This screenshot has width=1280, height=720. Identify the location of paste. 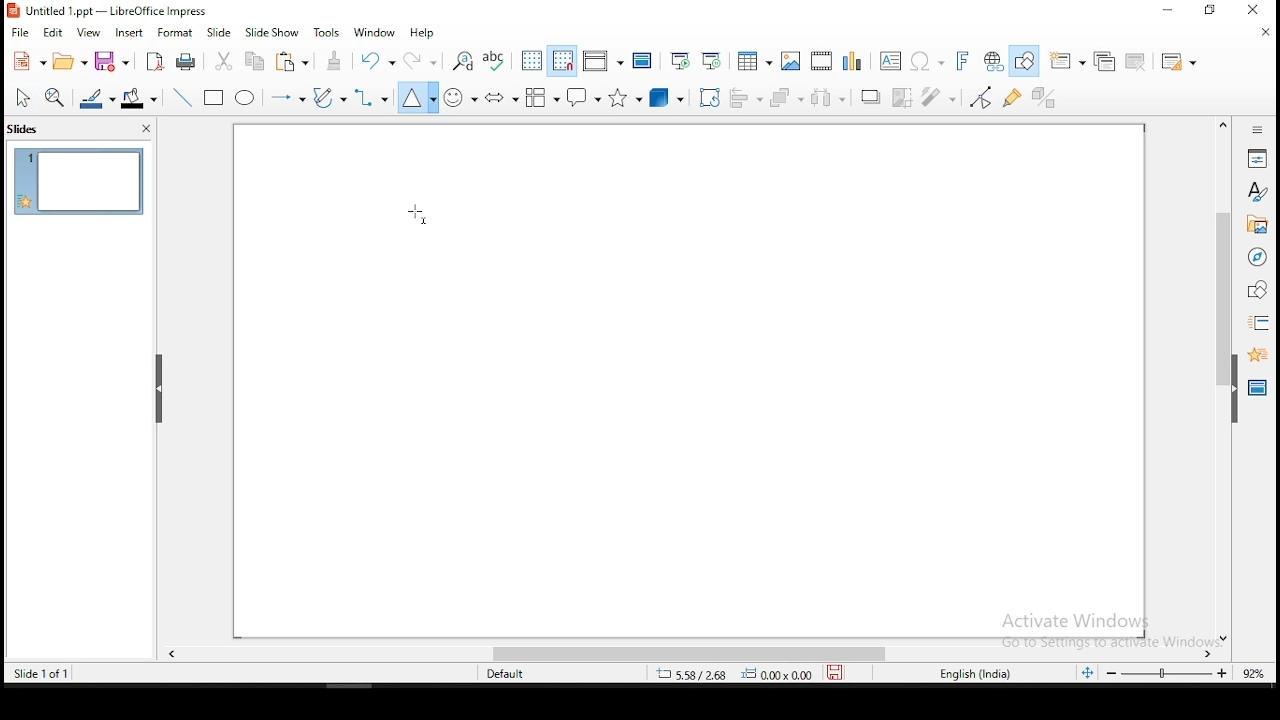
(336, 61).